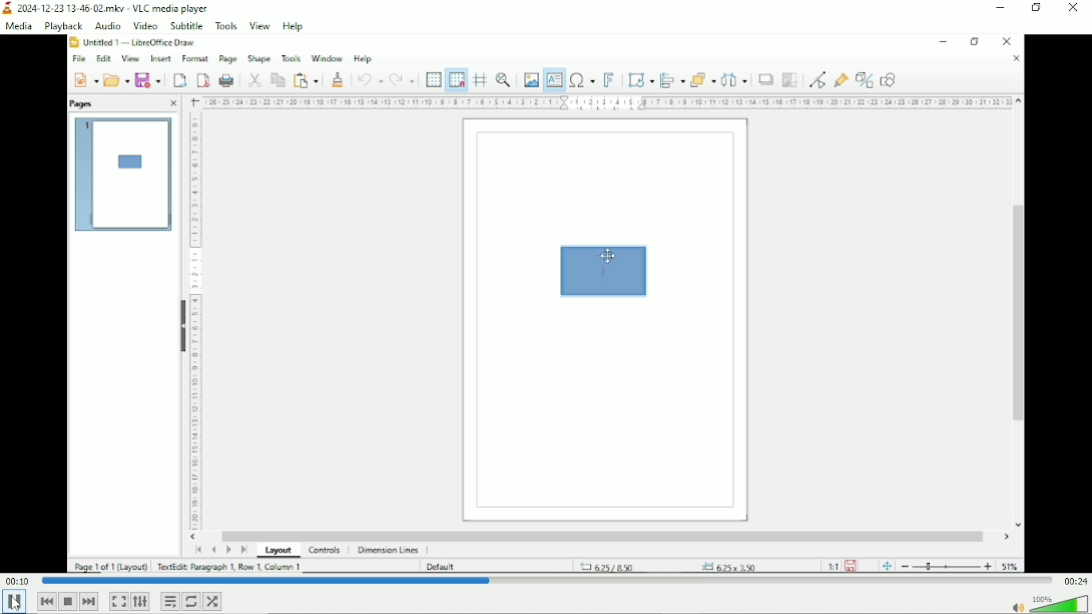  Describe the element at coordinates (1048, 603) in the screenshot. I see `Volume` at that location.